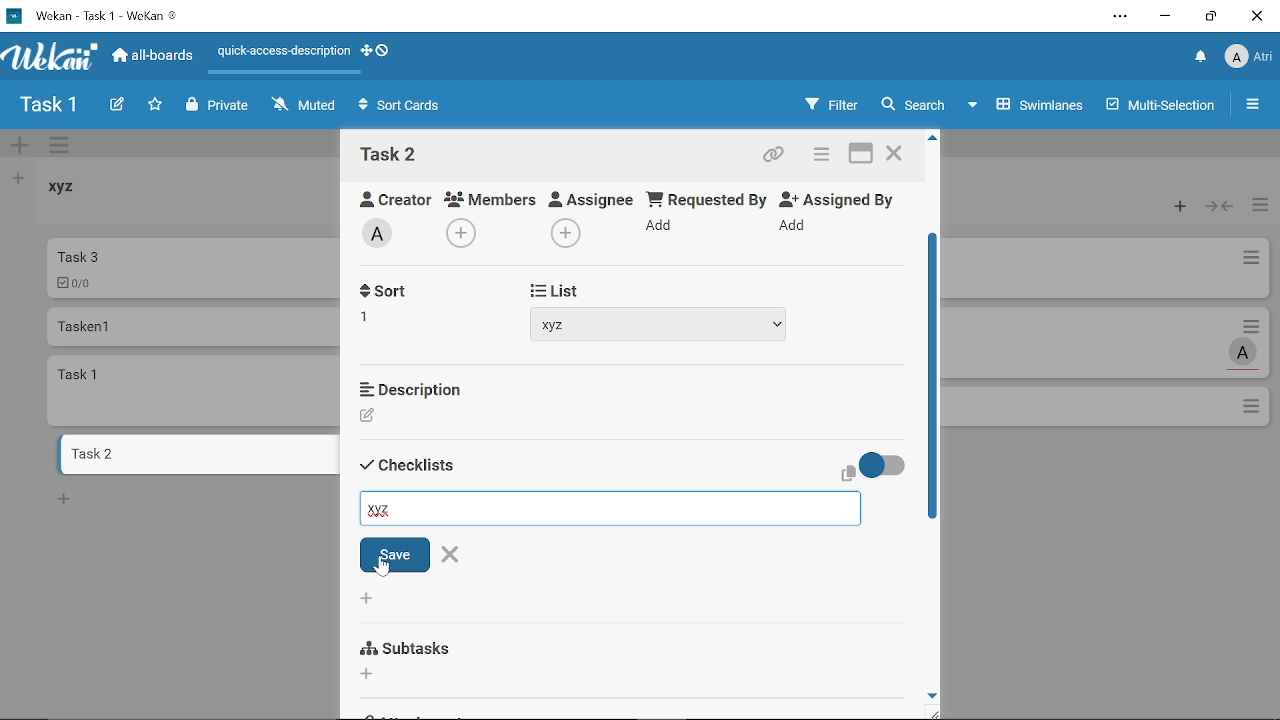  Describe the element at coordinates (116, 106) in the screenshot. I see `Create` at that location.